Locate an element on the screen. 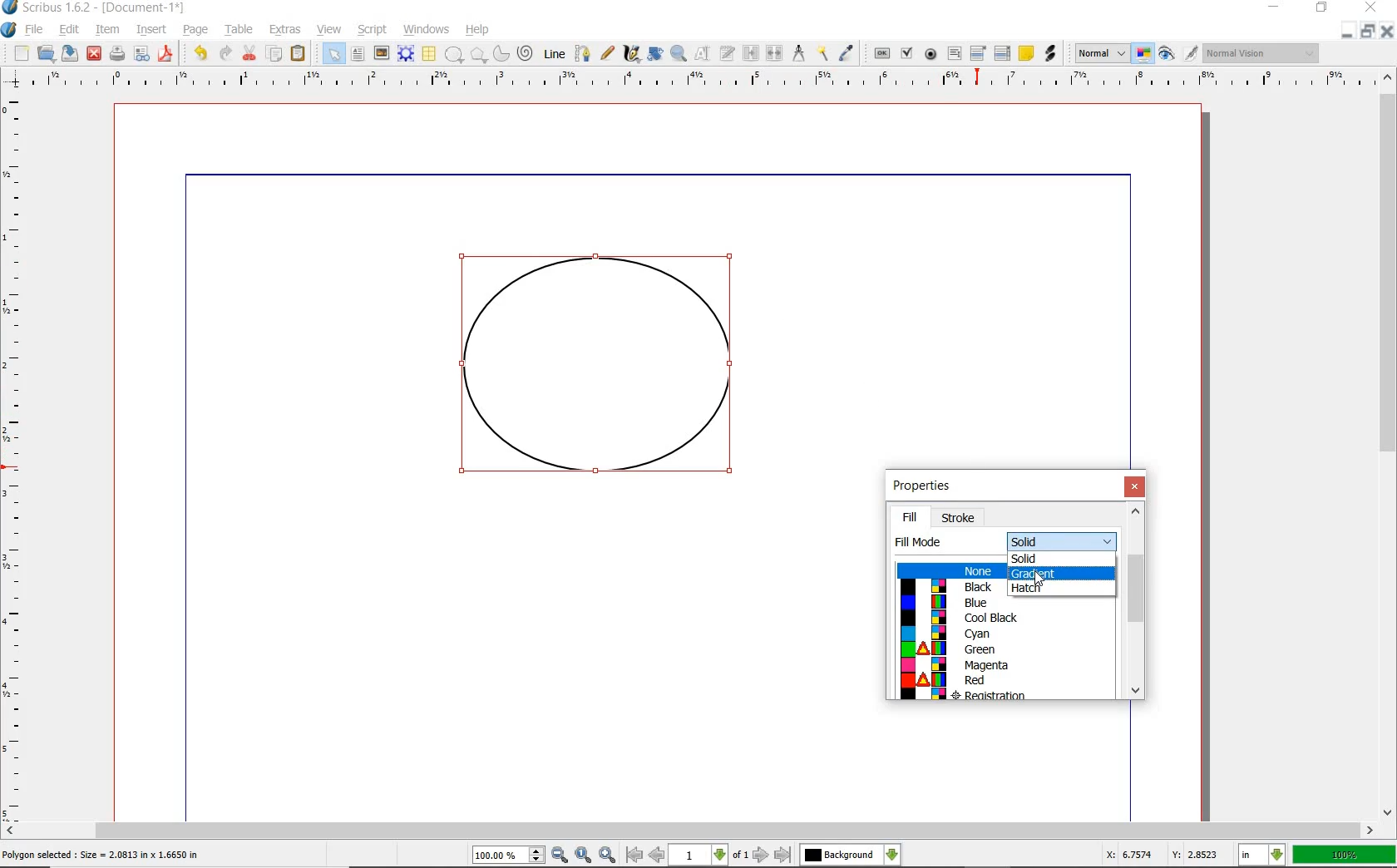  TABLE is located at coordinates (428, 54).